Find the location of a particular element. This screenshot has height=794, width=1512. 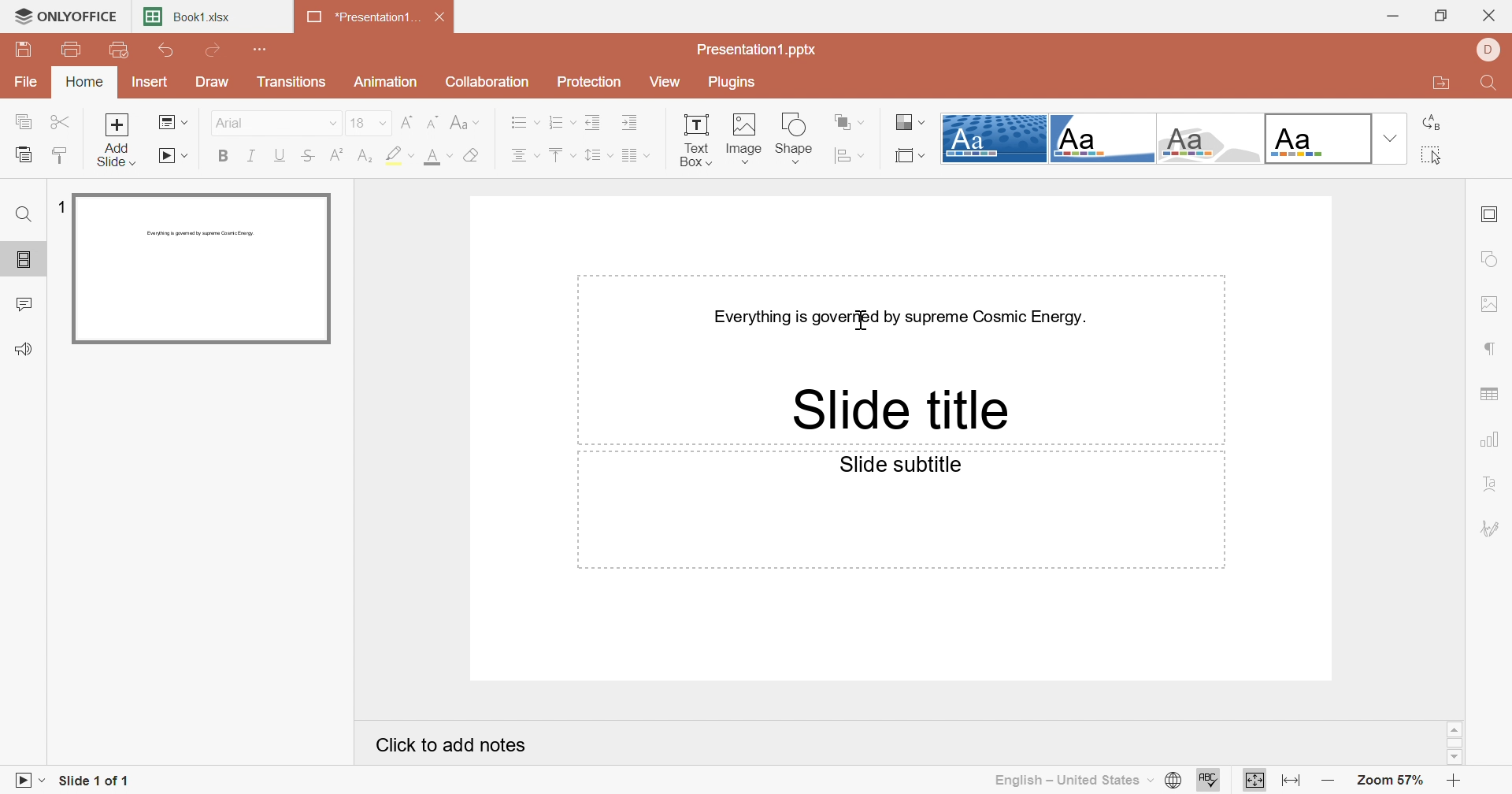

Corner is located at coordinates (1101, 139).